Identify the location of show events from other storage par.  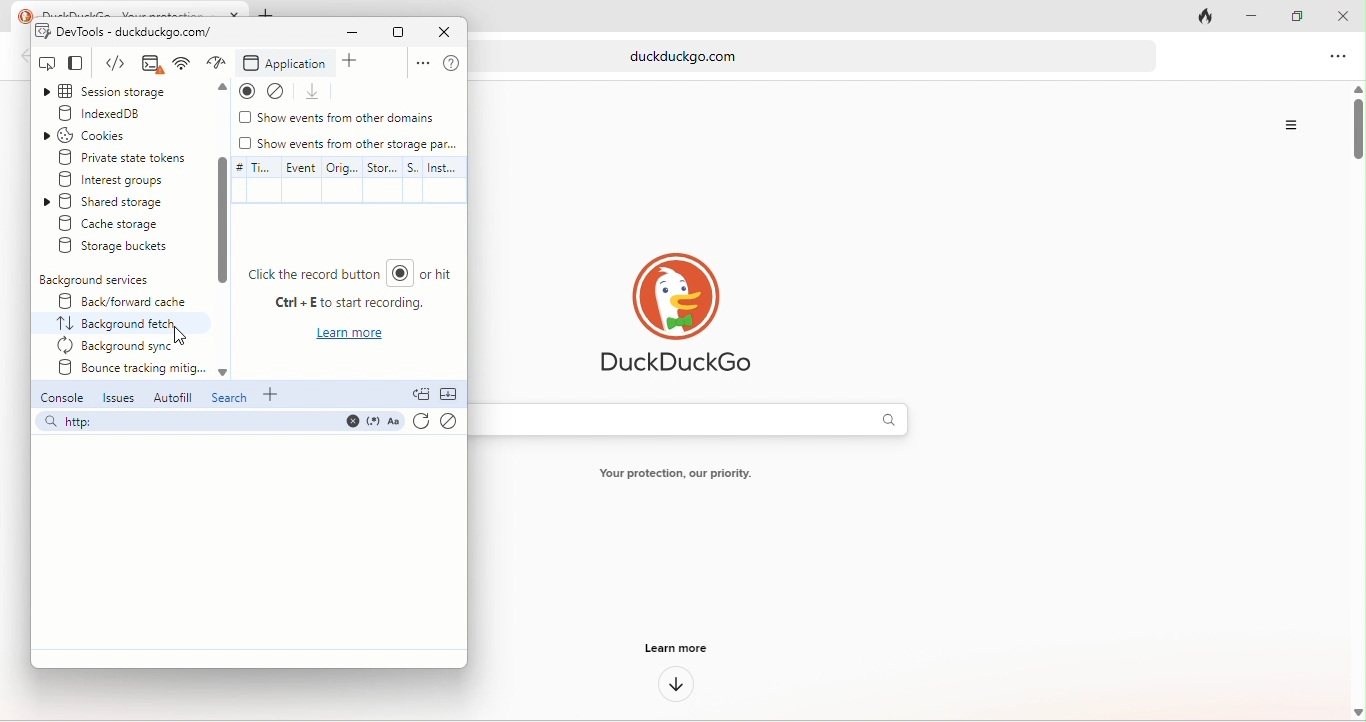
(350, 144).